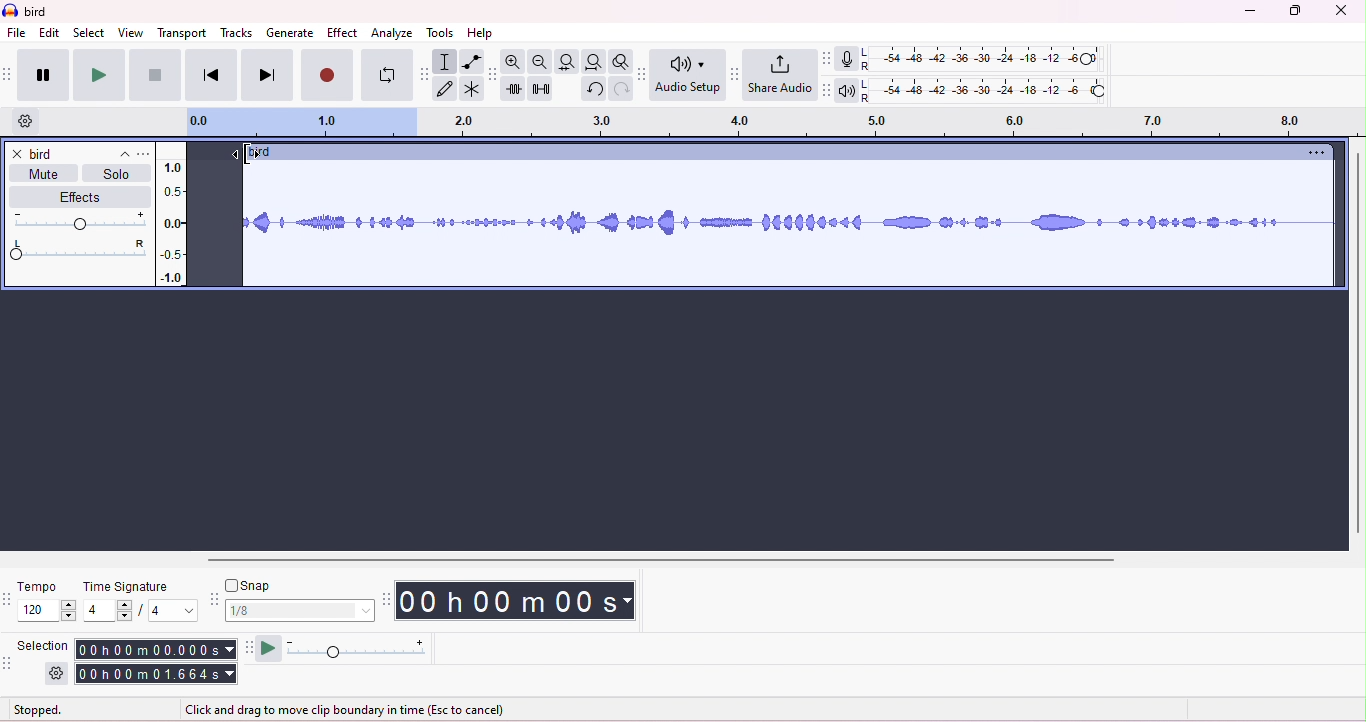  I want to click on help, so click(480, 33).